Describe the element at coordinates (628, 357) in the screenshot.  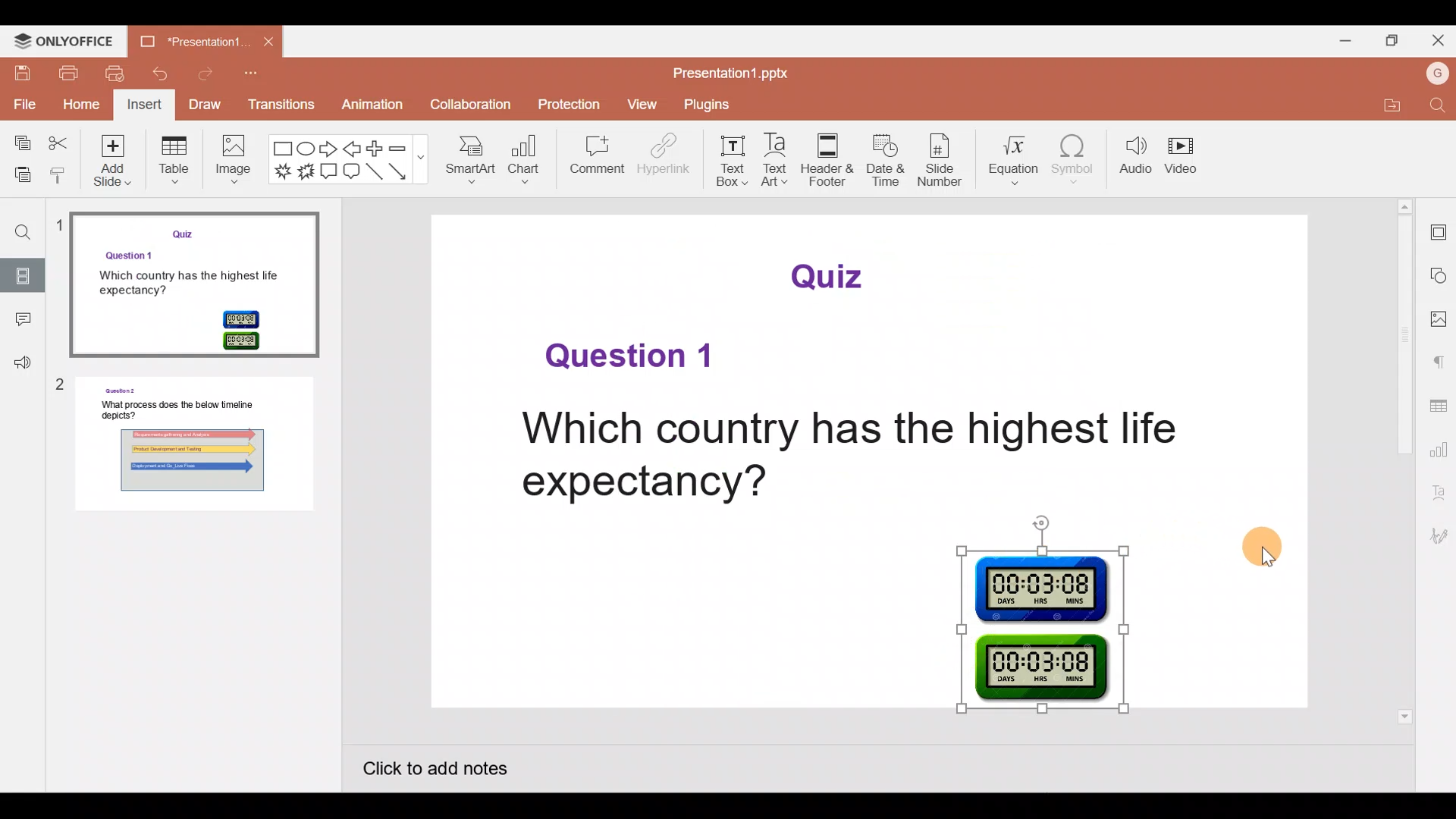
I see `Question 1` at that location.